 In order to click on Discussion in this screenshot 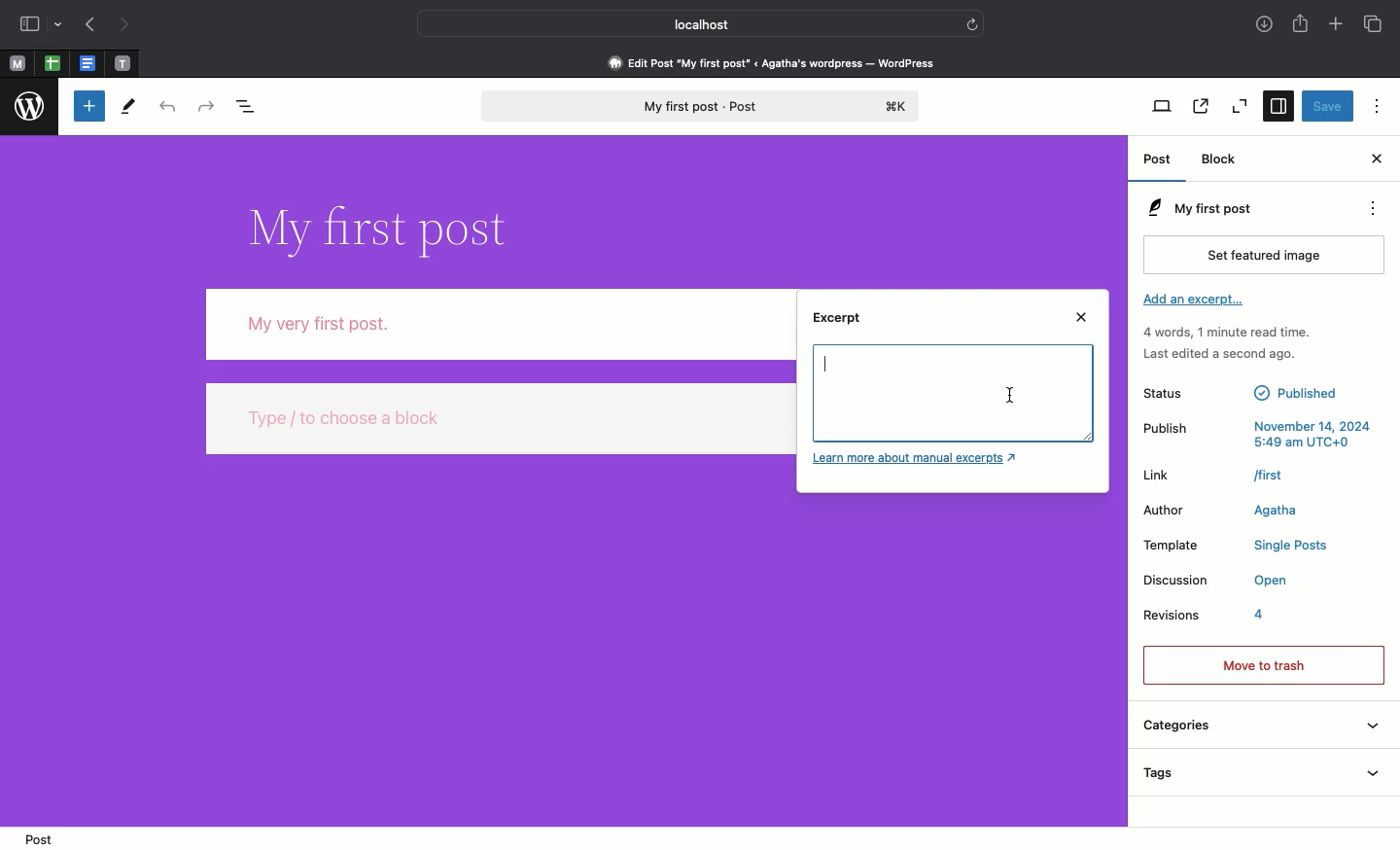, I will do `click(1215, 583)`.